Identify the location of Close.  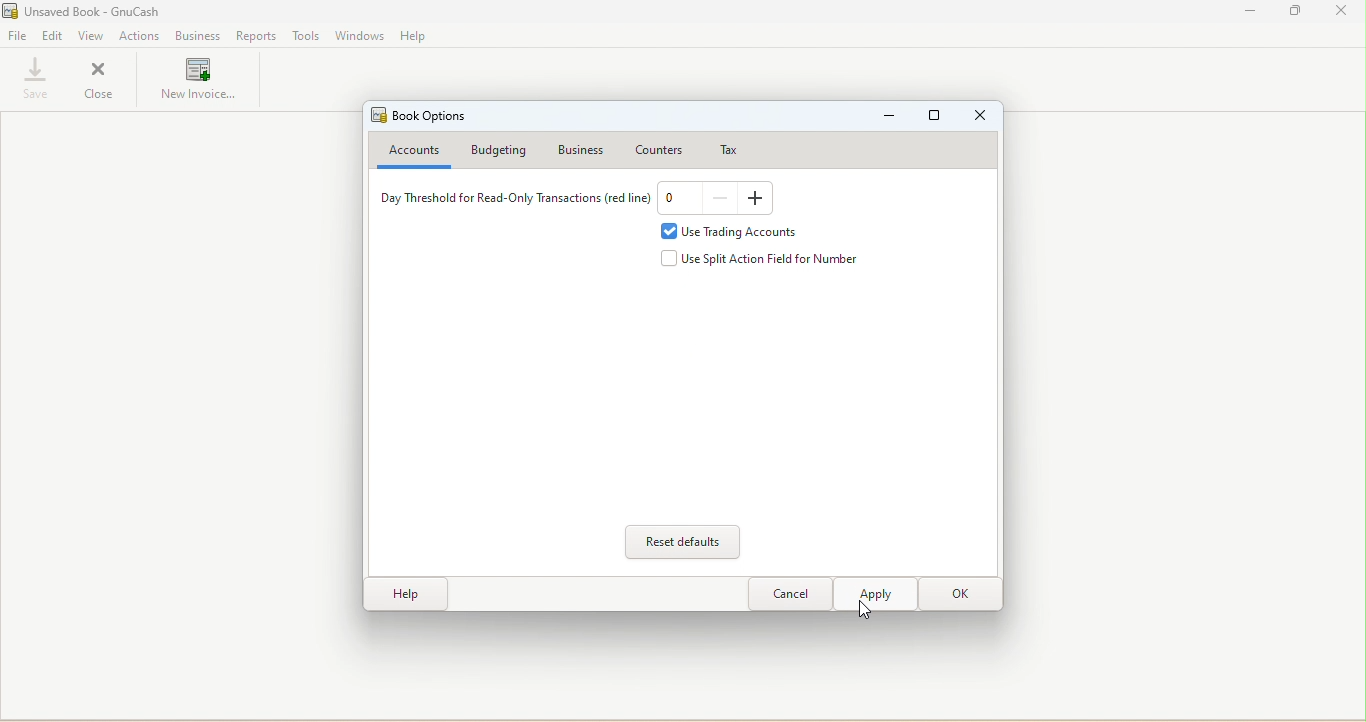
(789, 595).